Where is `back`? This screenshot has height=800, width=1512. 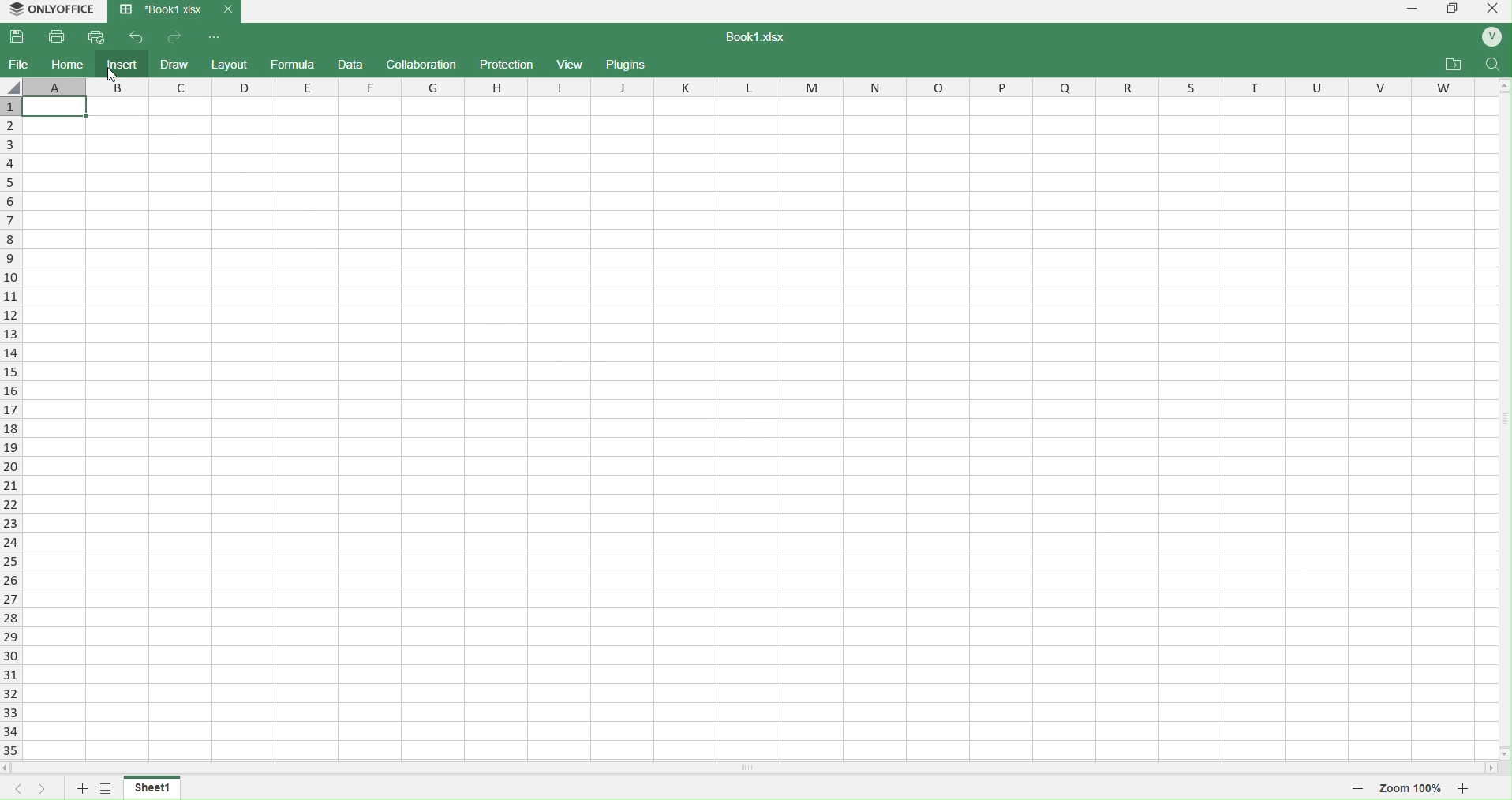
back is located at coordinates (137, 36).